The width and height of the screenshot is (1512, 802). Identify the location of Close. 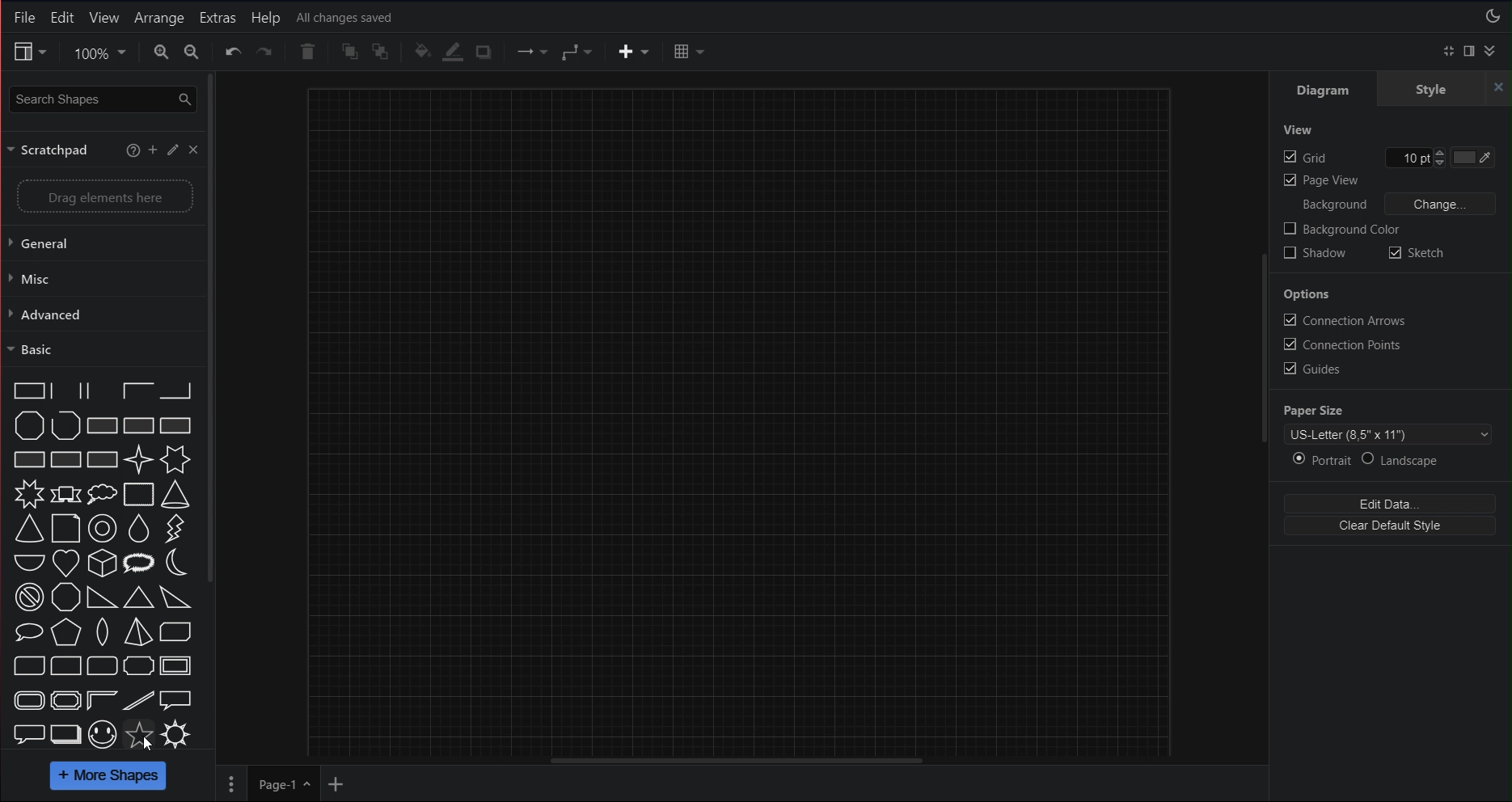
(1499, 88).